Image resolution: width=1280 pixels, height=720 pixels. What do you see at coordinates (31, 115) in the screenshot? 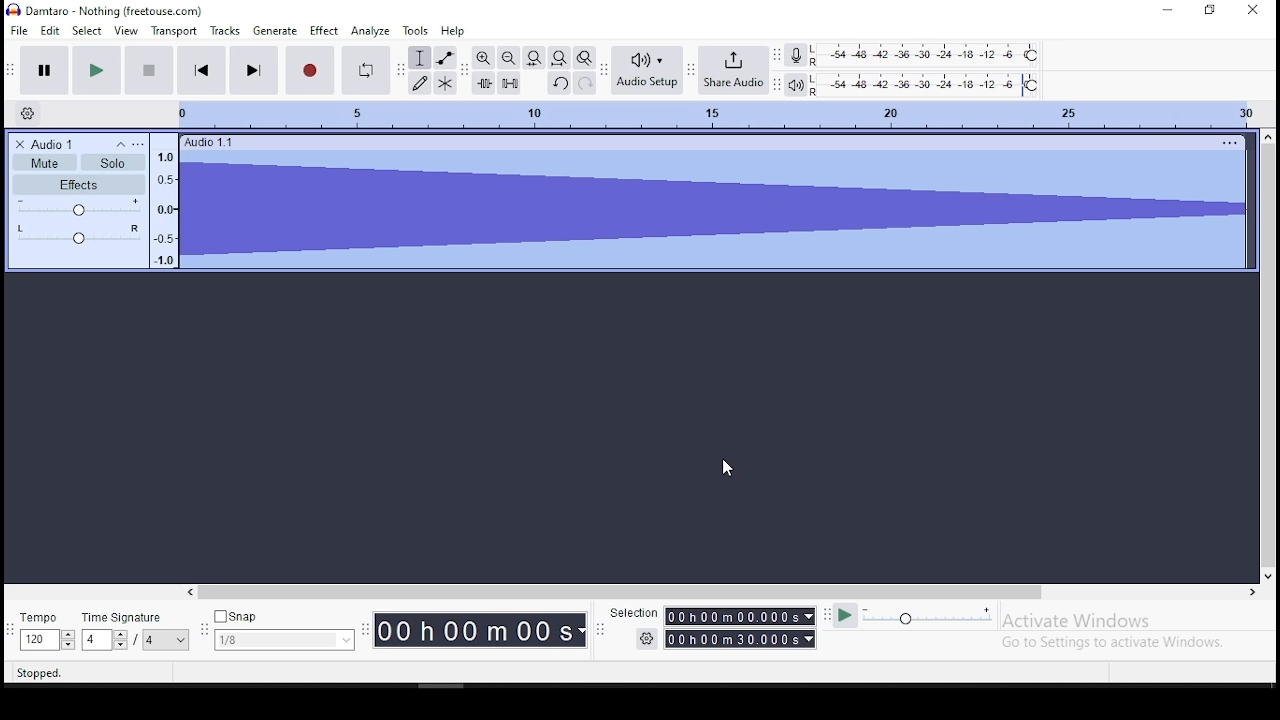
I see `timeline settings` at bounding box center [31, 115].